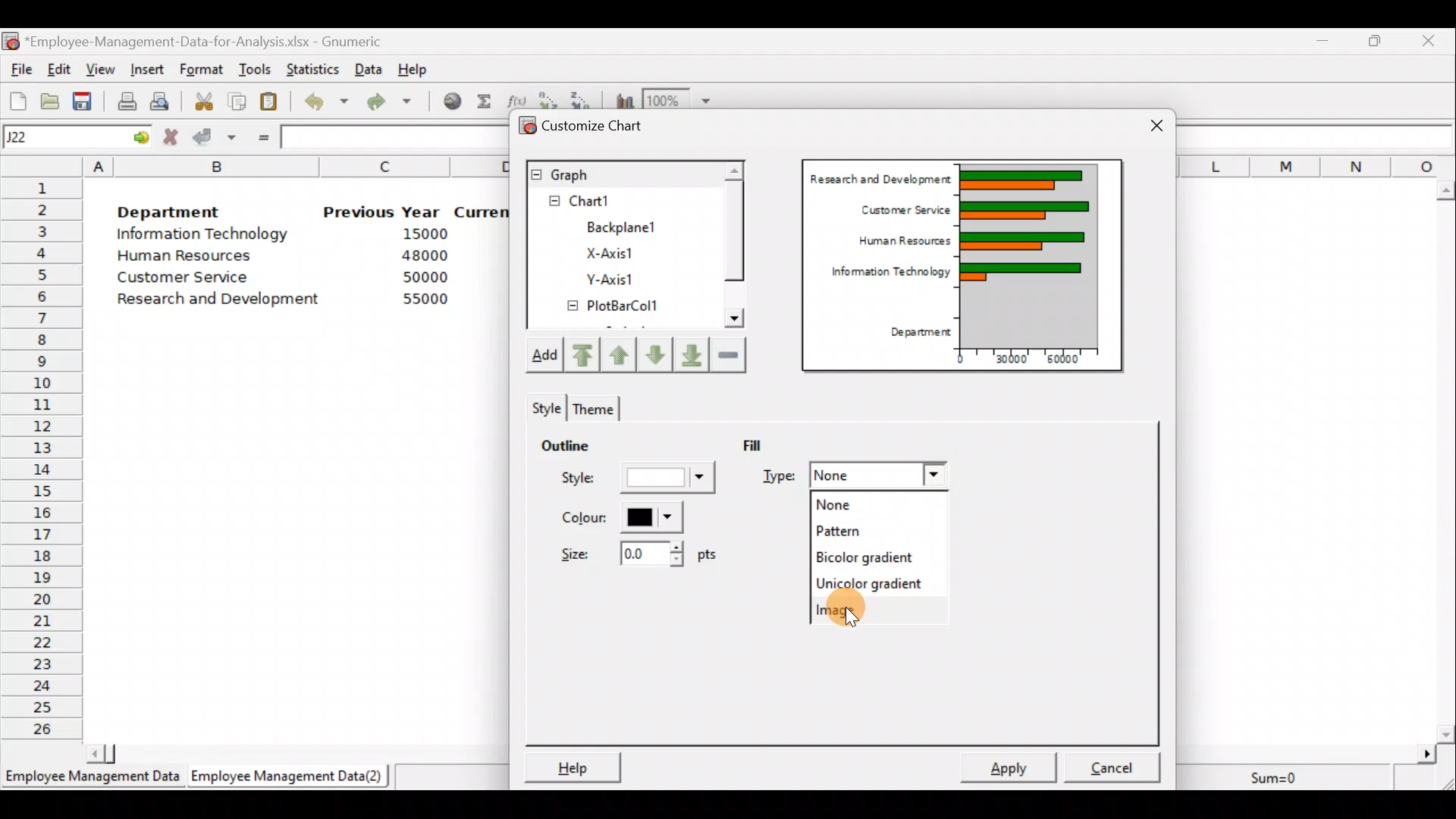  I want to click on X-axis1, so click(620, 251).